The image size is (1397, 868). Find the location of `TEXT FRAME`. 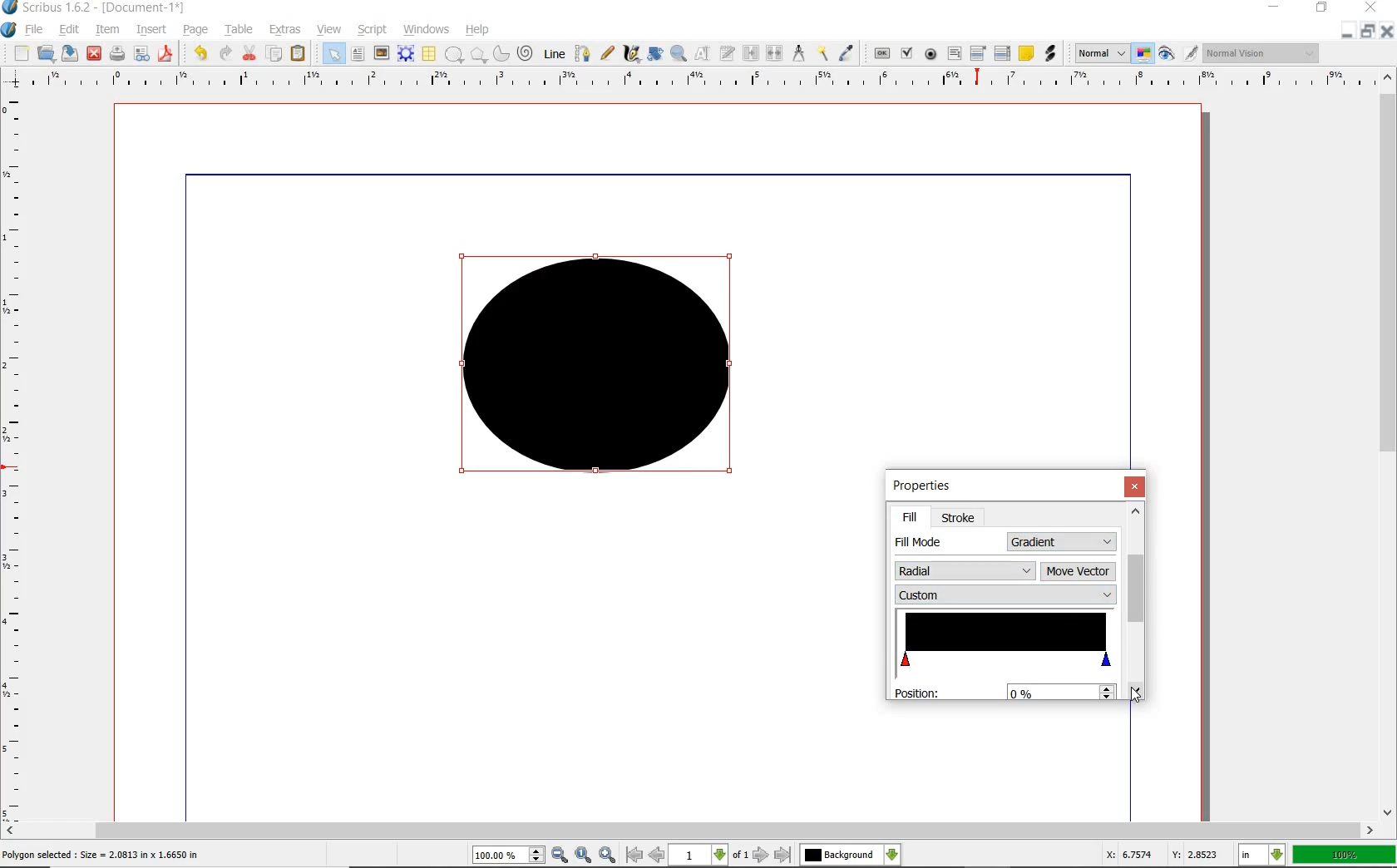

TEXT FRAME is located at coordinates (358, 53).